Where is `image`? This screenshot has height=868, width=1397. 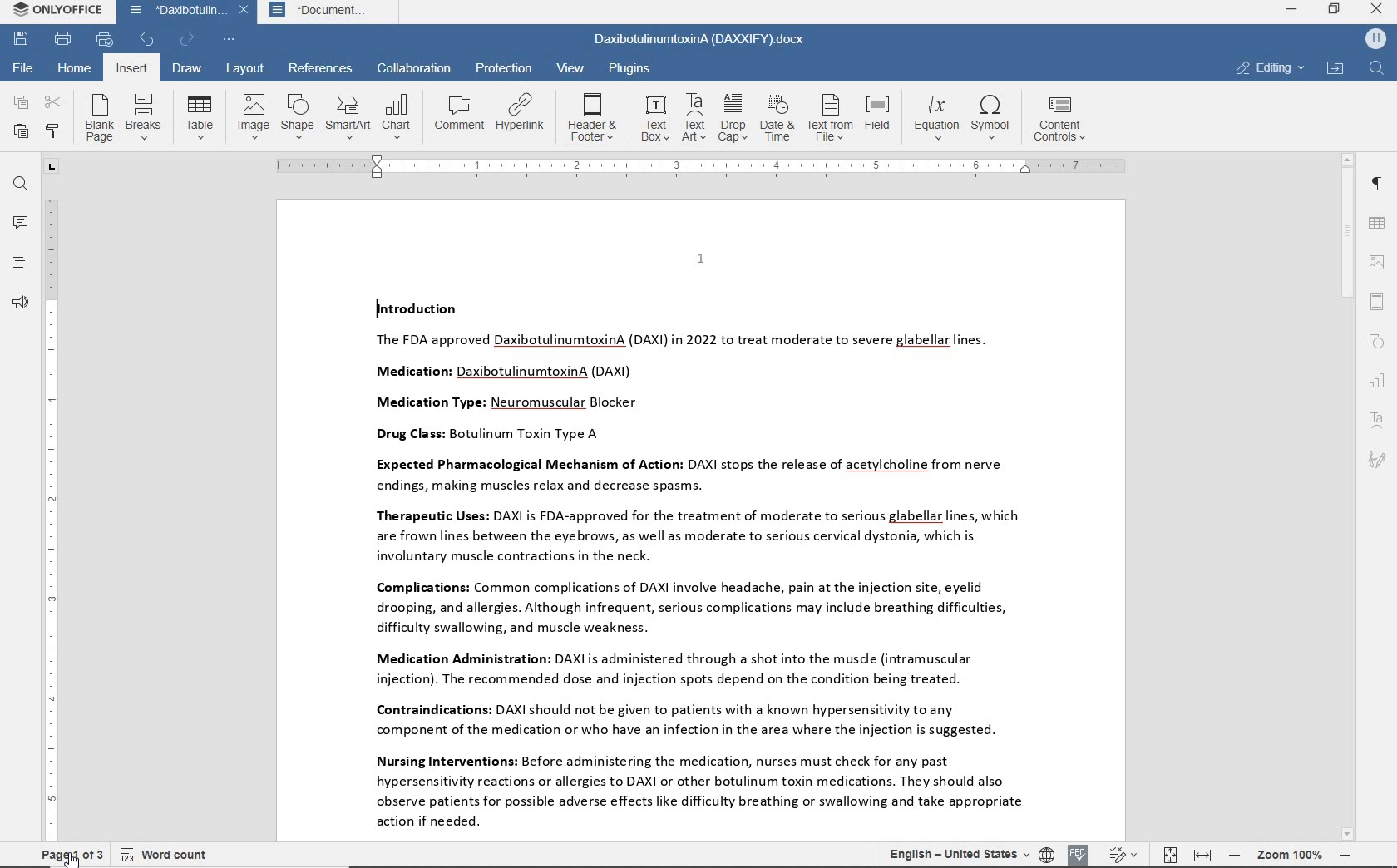 image is located at coordinates (252, 116).